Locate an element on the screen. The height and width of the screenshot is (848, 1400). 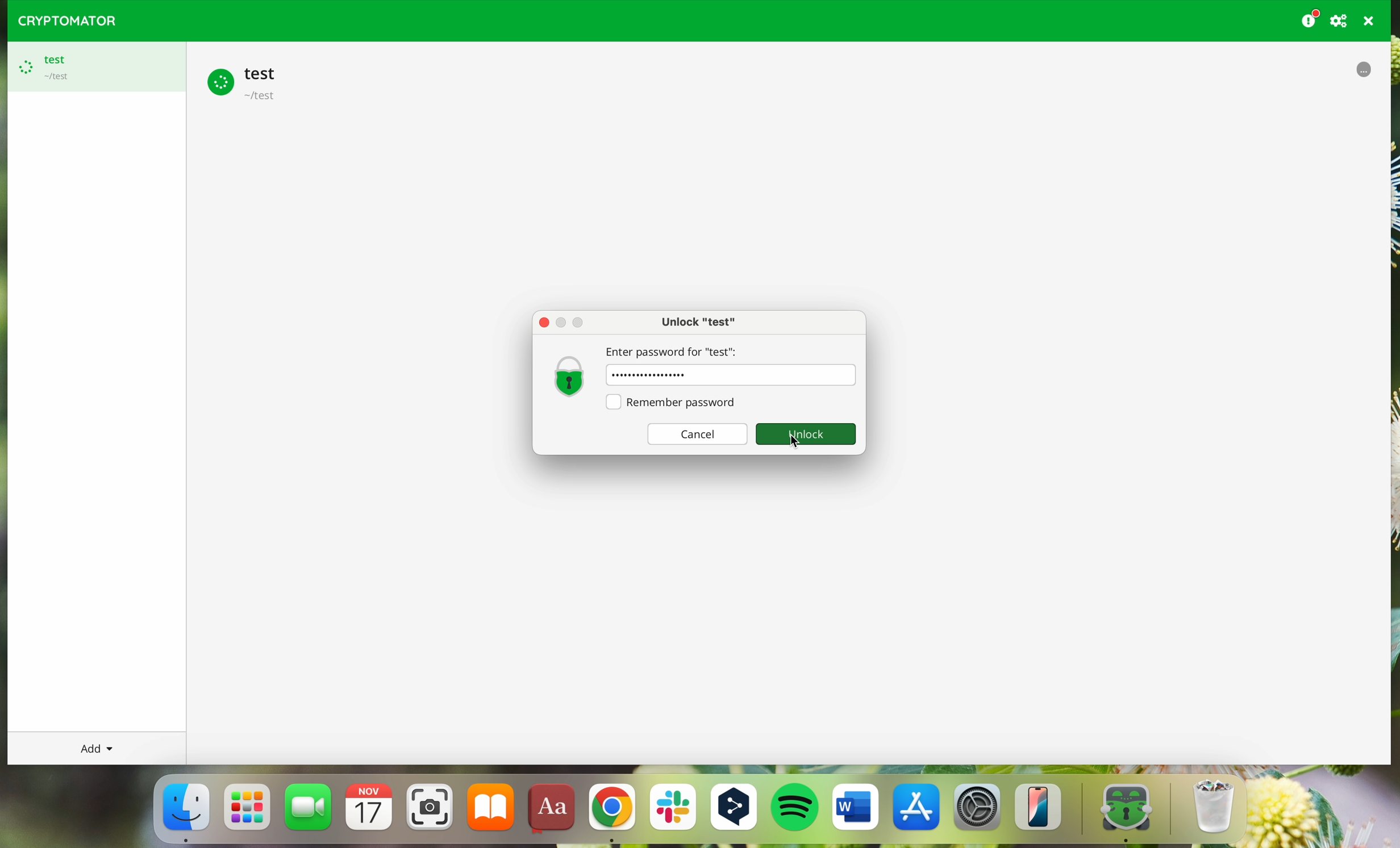
preferences is located at coordinates (1340, 20).